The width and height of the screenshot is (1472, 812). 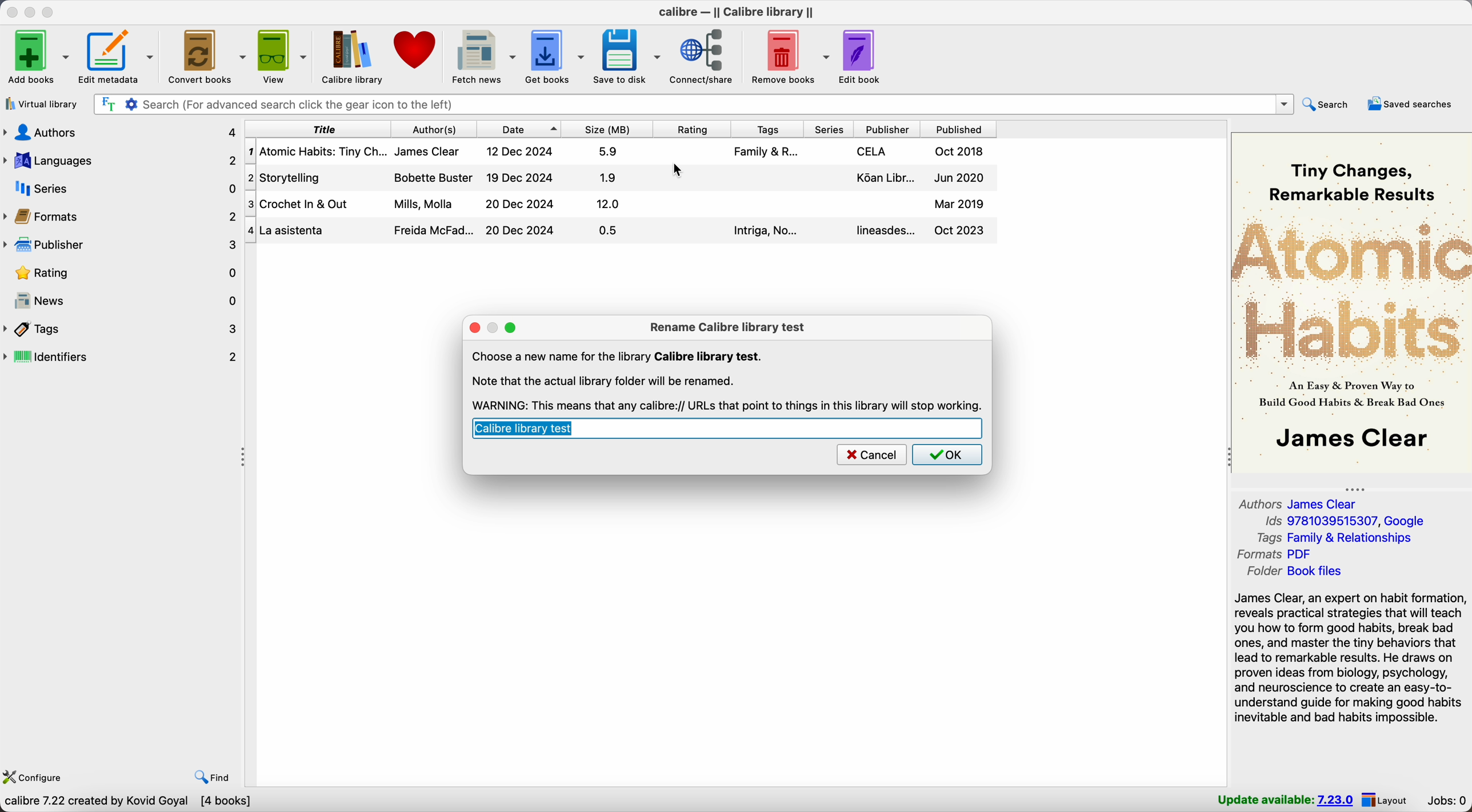 What do you see at coordinates (317, 129) in the screenshot?
I see `title` at bounding box center [317, 129].